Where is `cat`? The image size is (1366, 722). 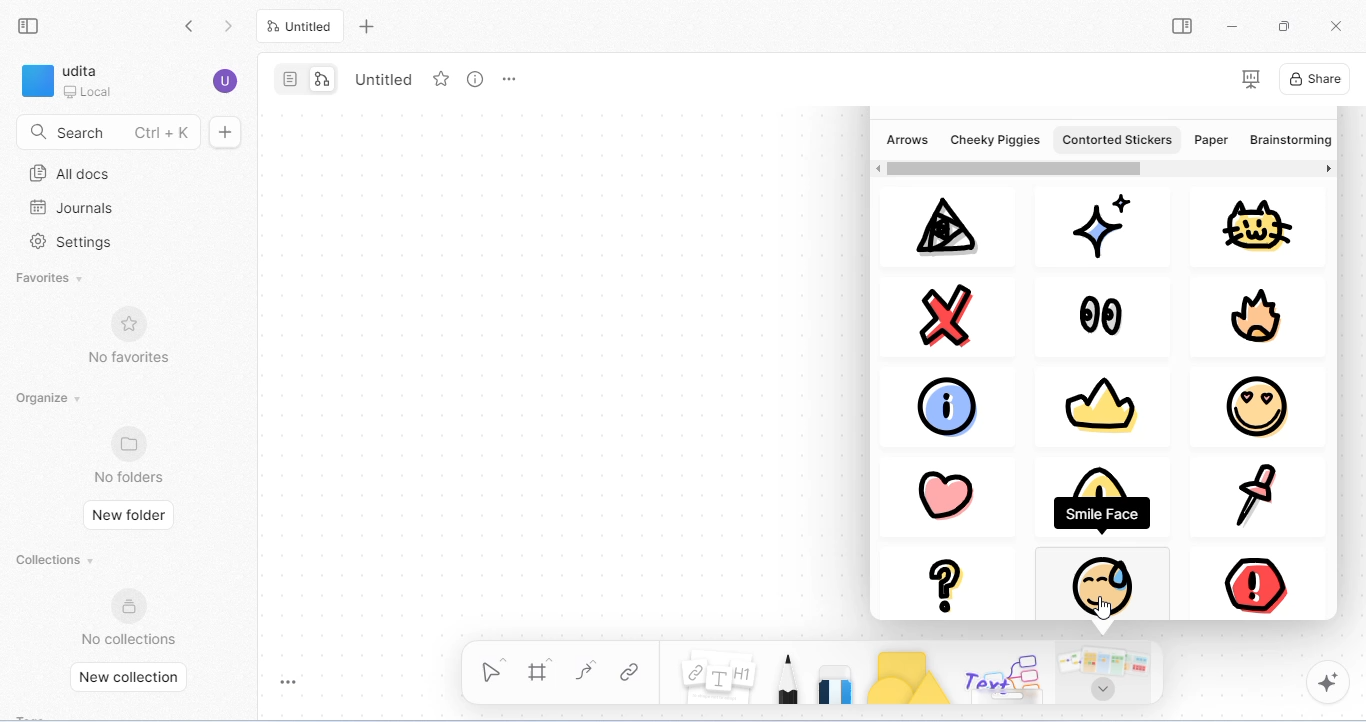
cat is located at coordinates (1258, 225).